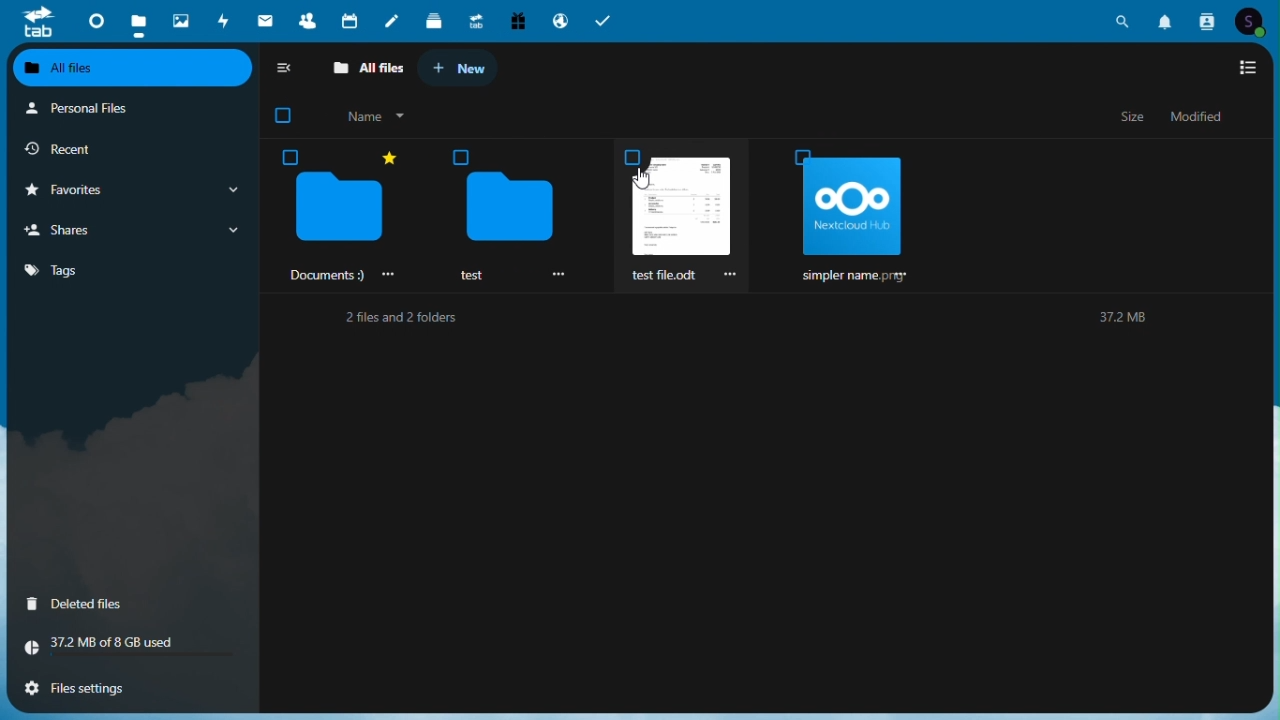  Describe the element at coordinates (122, 651) in the screenshot. I see `Storage` at that location.